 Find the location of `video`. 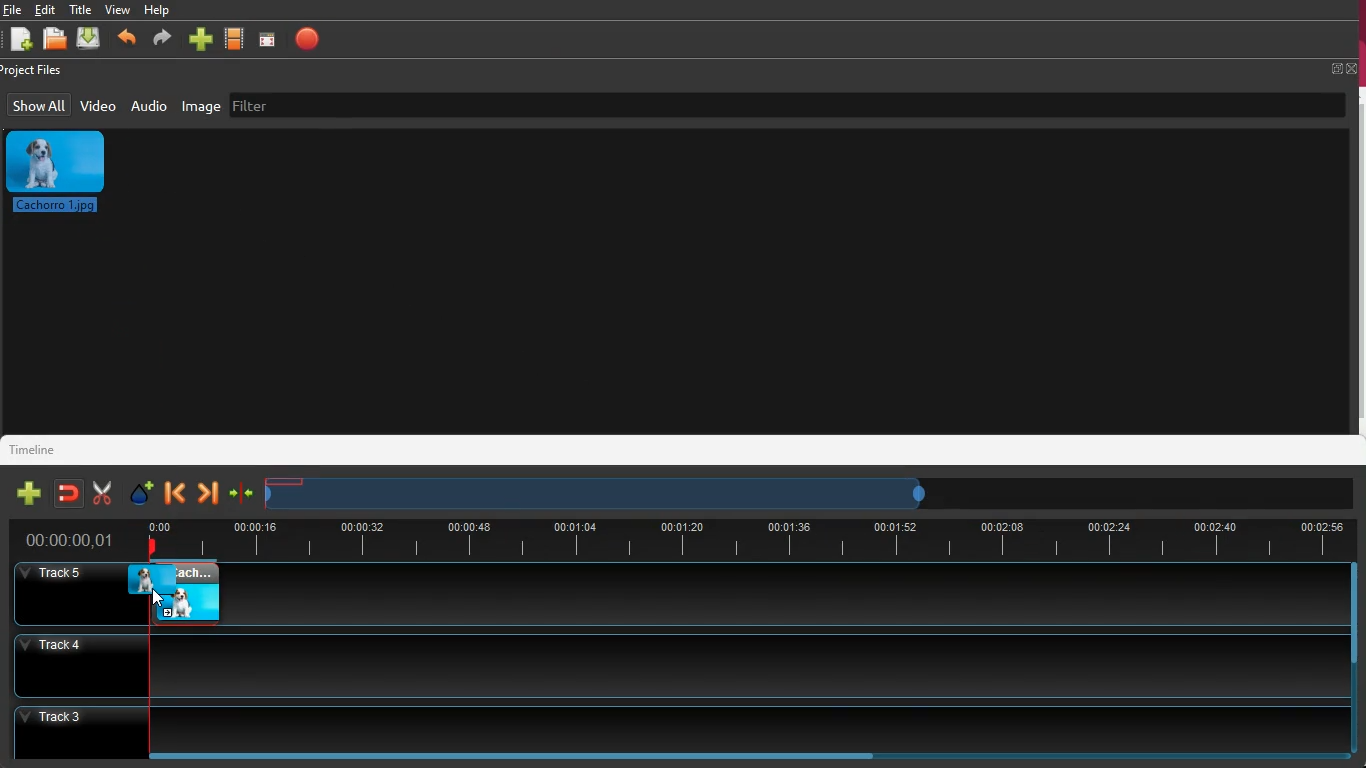

video is located at coordinates (171, 589).